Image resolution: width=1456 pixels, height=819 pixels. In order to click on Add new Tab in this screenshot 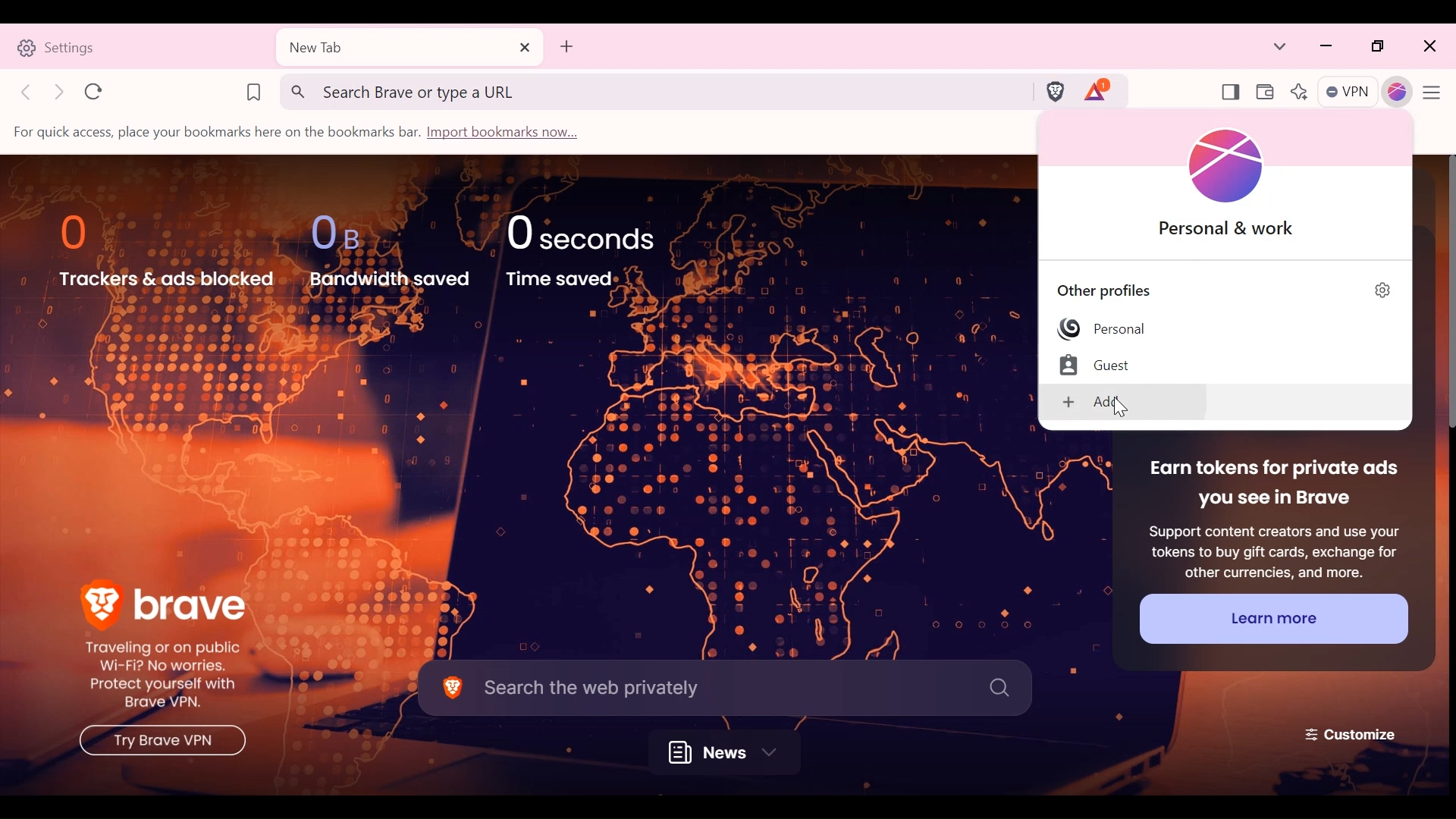, I will do `click(566, 46)`.